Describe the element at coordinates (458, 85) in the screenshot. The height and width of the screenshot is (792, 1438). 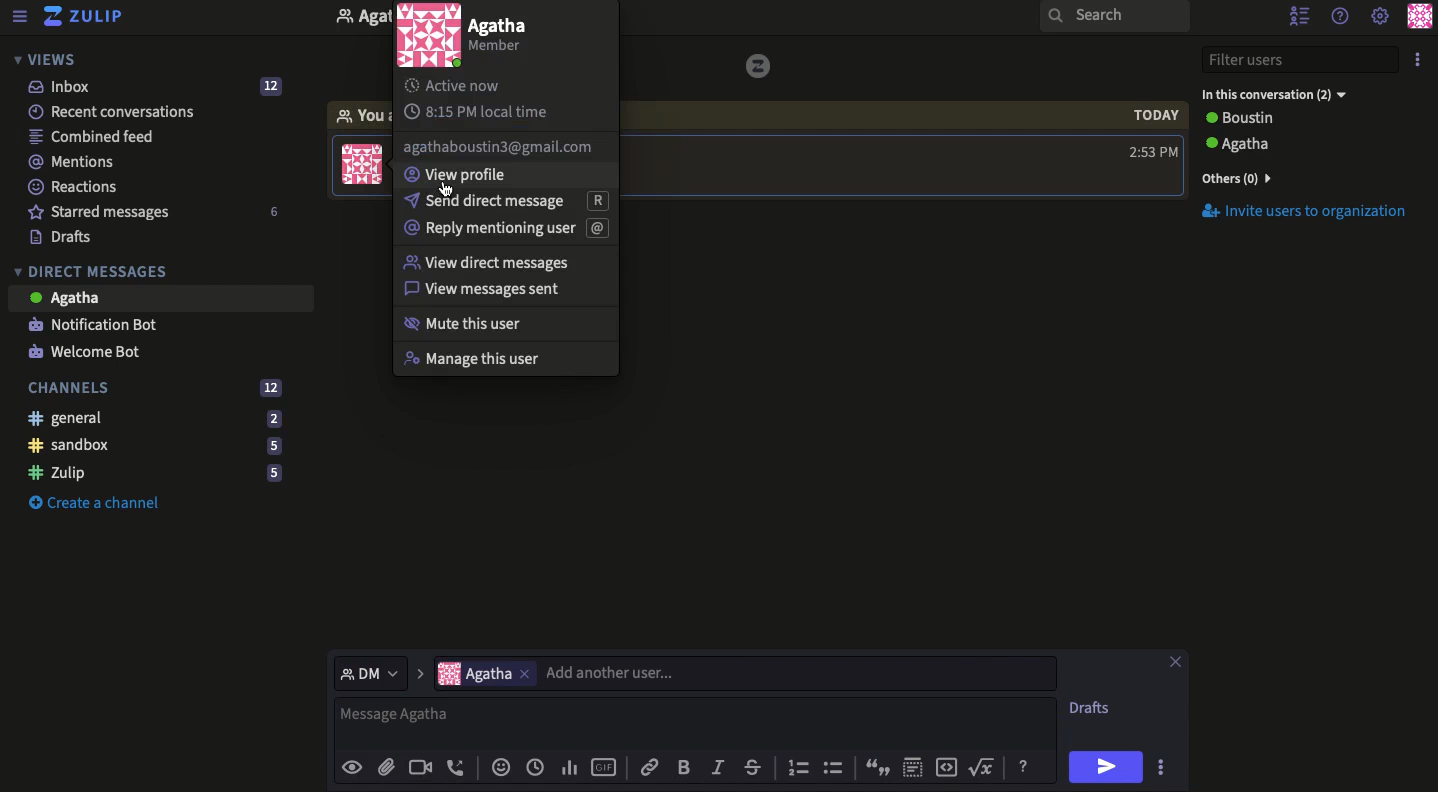
I see `Active now` at that location.